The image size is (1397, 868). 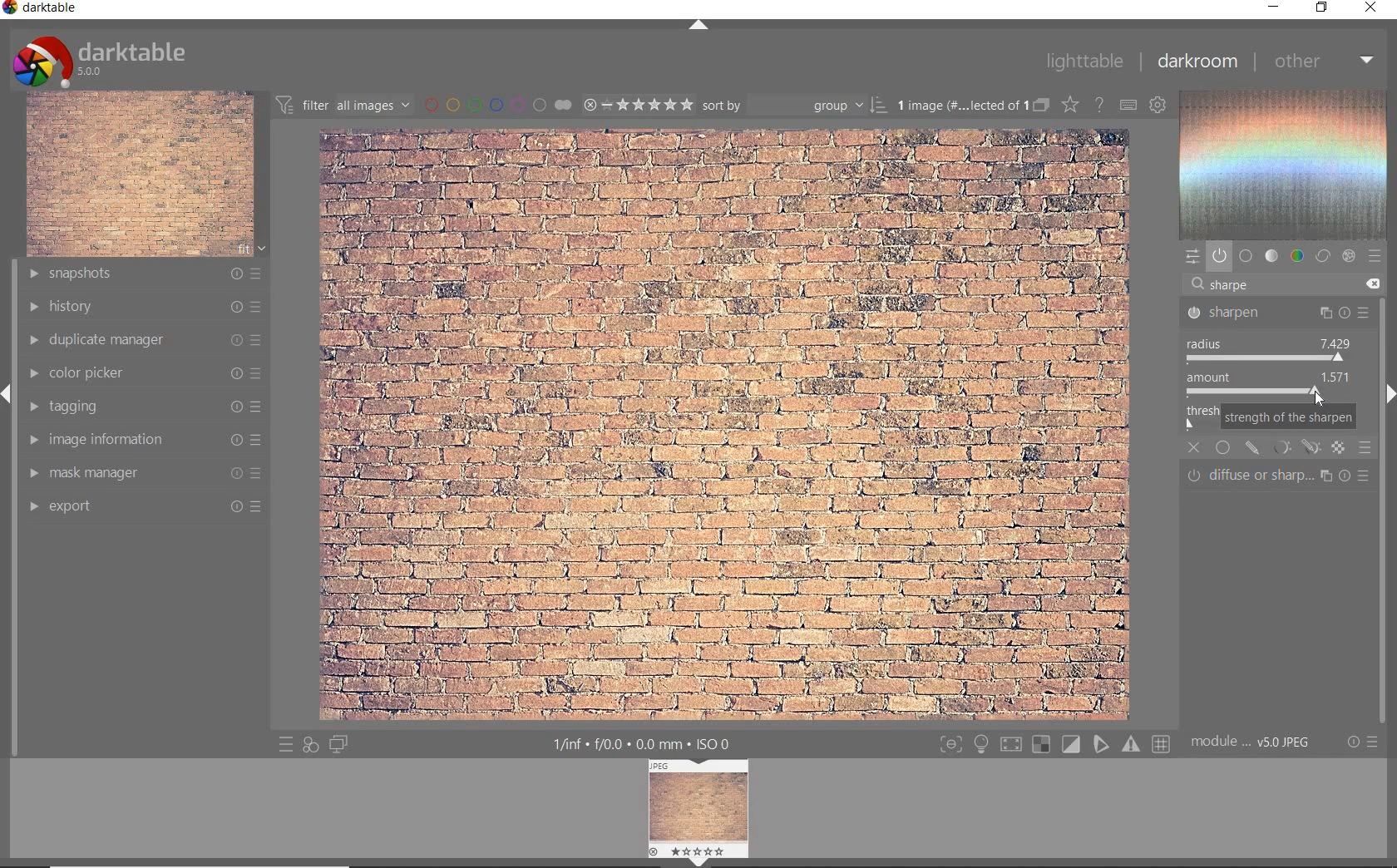 I want to click on CURSOR POSITION, so click(x=1319, y=397).